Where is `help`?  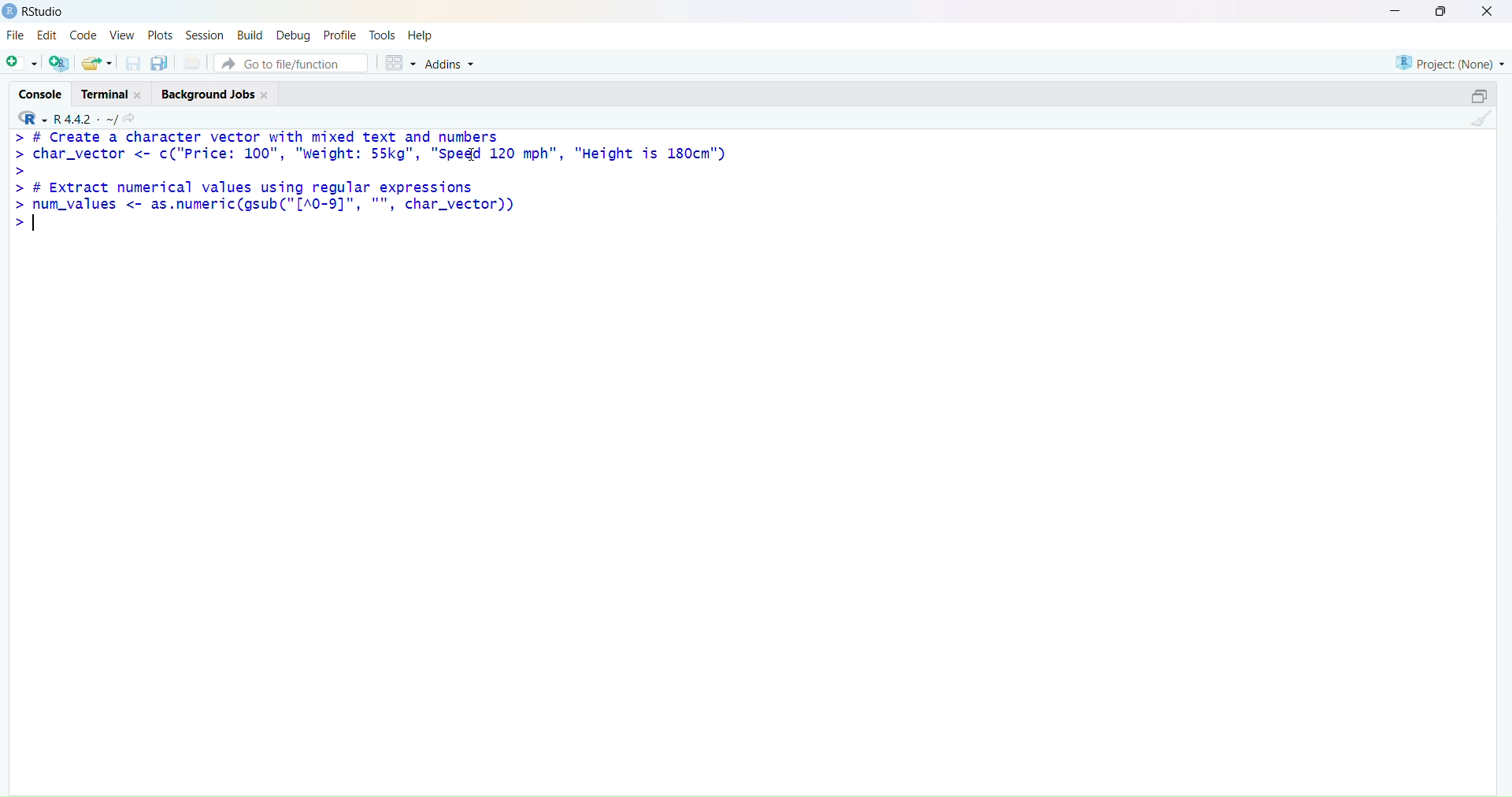
help is located at coordinates (420, 36).